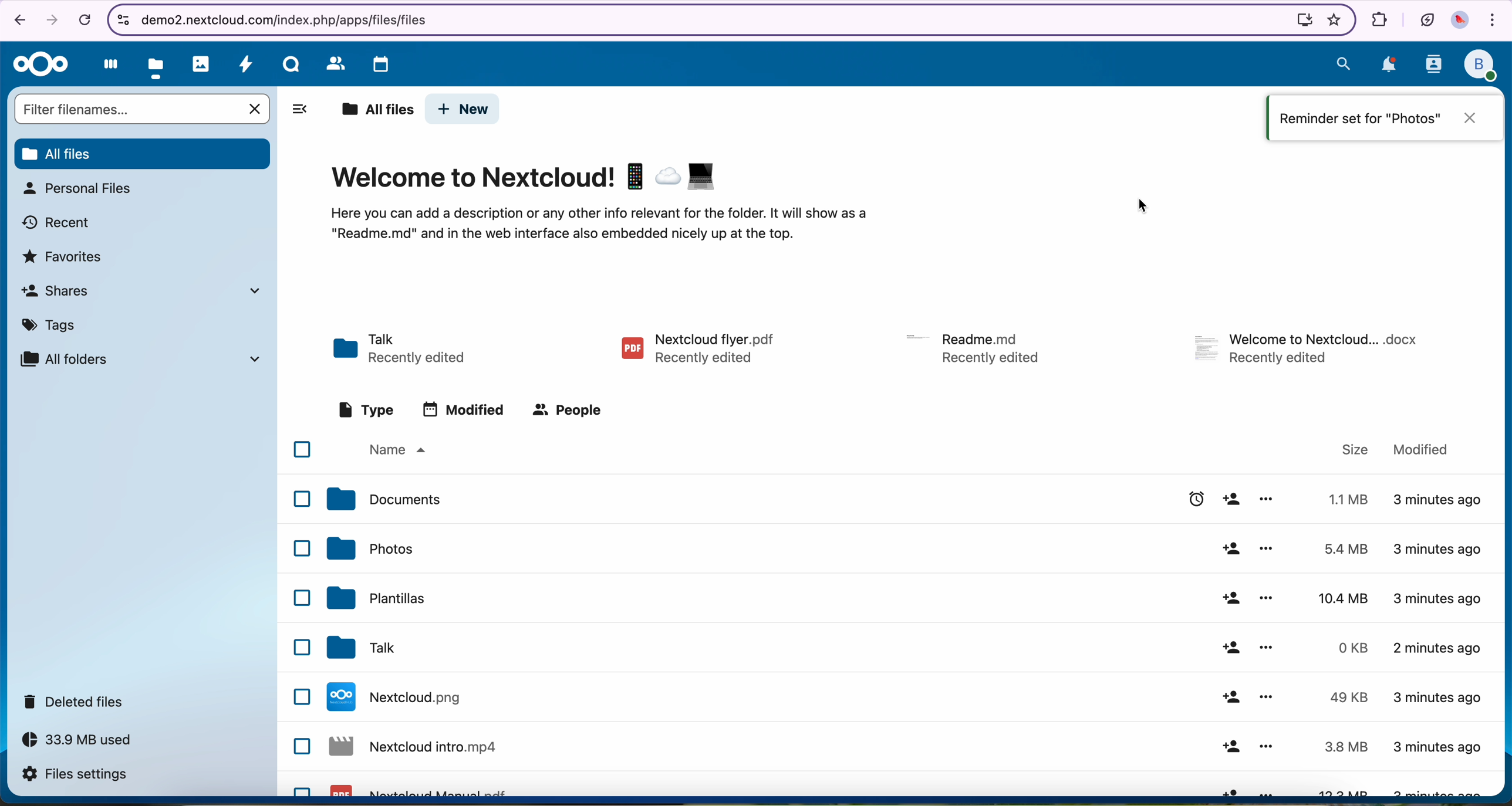  Describe the element at coordinates (1387, 117) in the screenshot. I see `reminder set for "Photos" folder` at that location.